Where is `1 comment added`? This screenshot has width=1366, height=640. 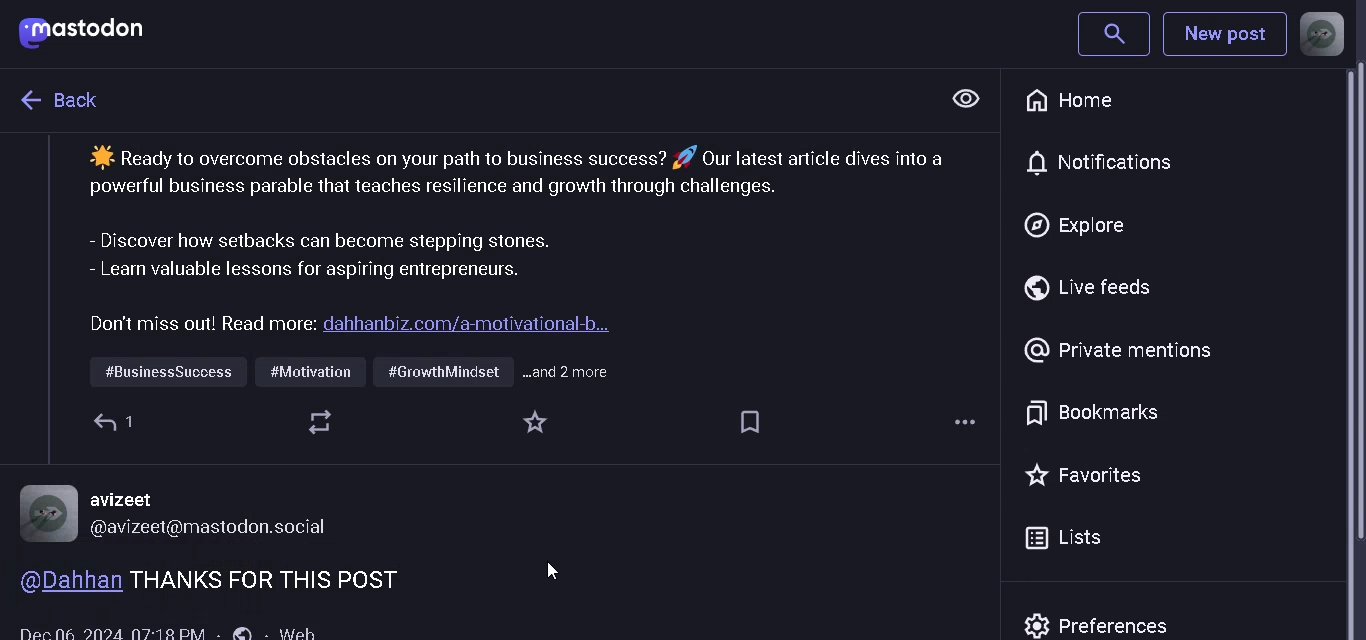
1 comment added is located at coordinates (114, 424).